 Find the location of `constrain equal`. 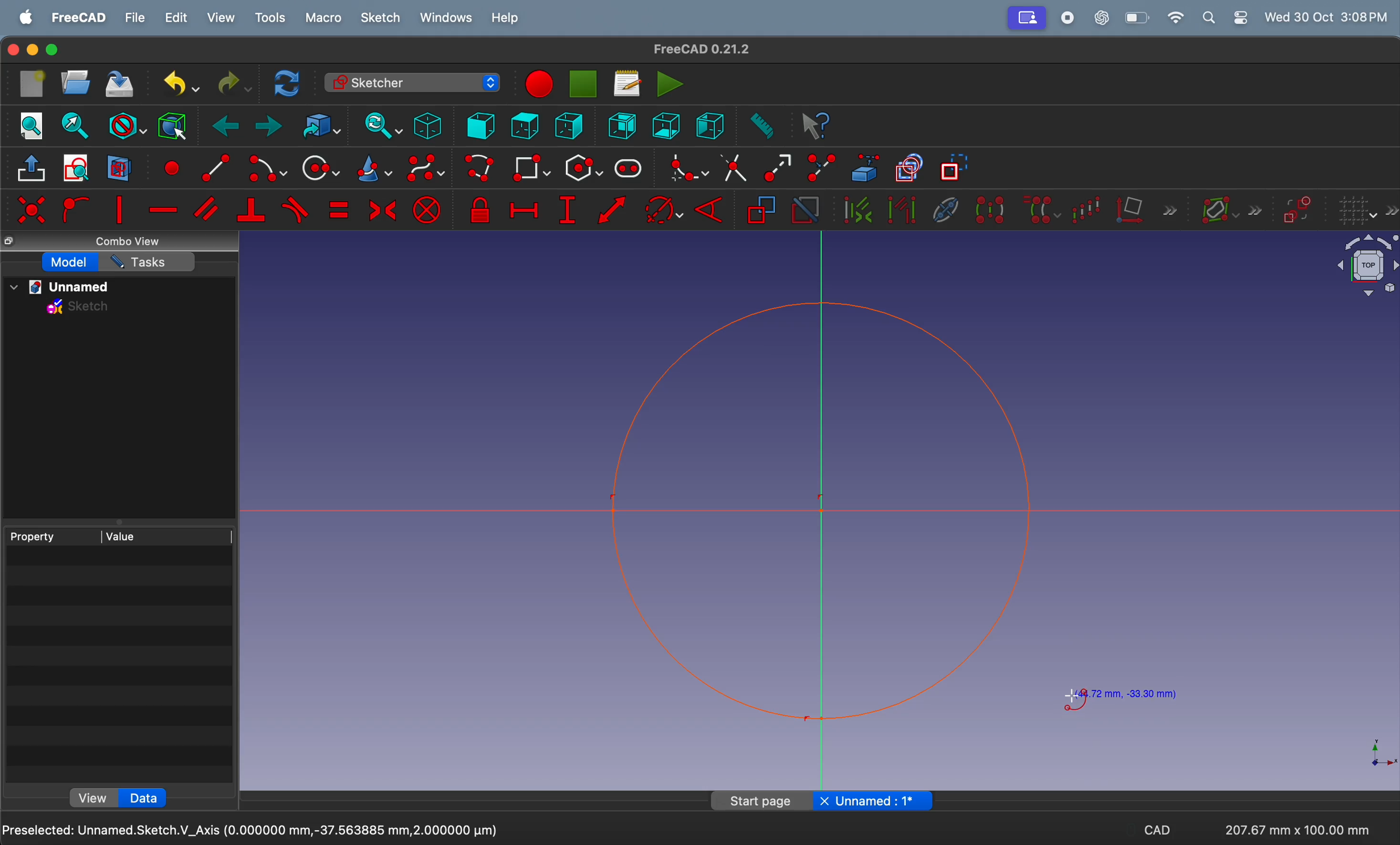

constrain equal is located at coordinates (338, 210).